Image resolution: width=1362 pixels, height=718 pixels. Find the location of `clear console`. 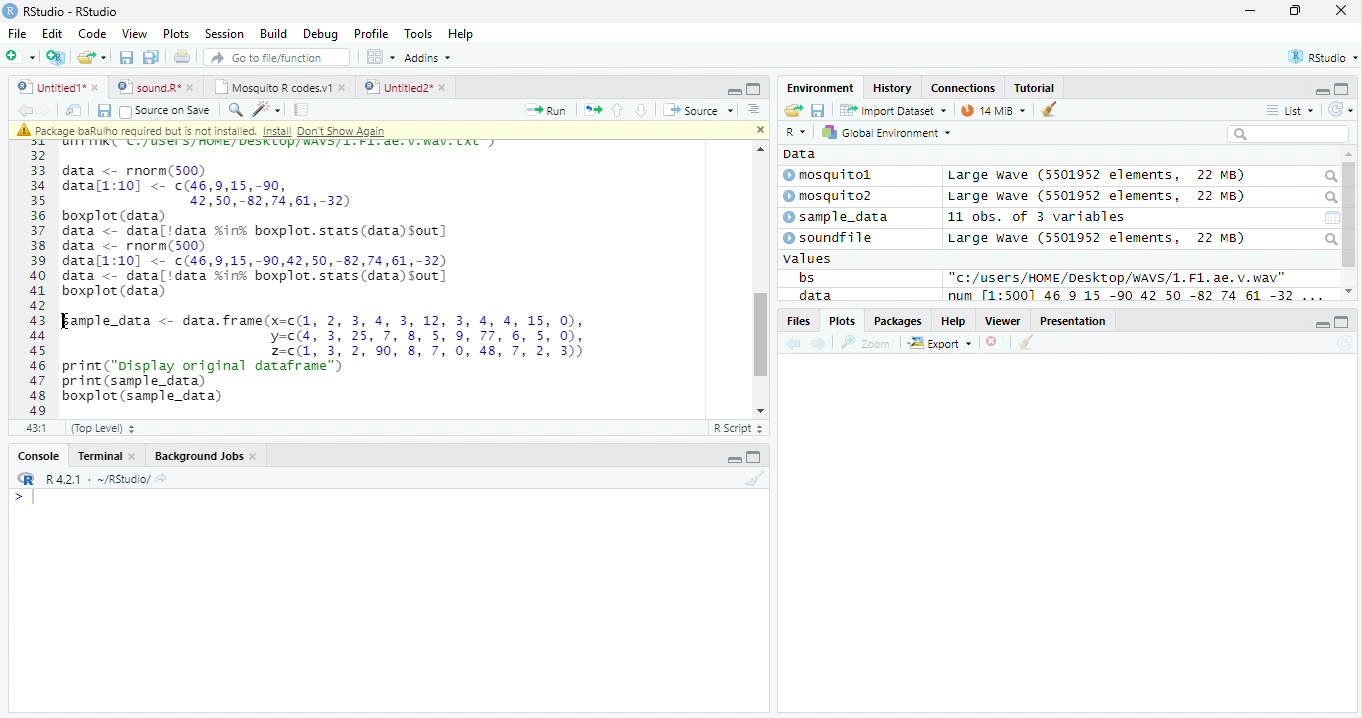

clear console is located at coordinates (1049, 108).